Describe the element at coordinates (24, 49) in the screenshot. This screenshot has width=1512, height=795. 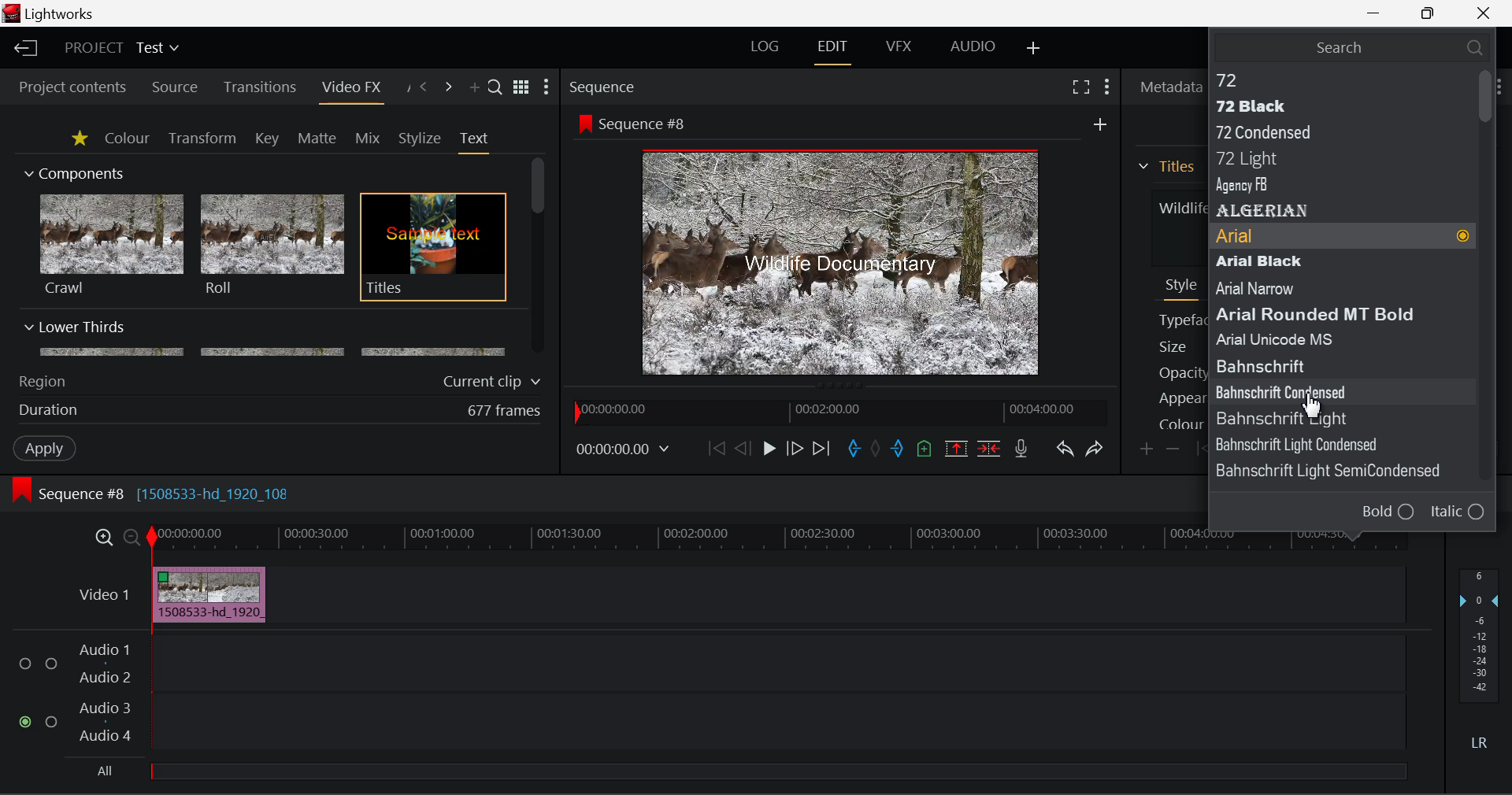
I see `Back to Homepage` at that location.